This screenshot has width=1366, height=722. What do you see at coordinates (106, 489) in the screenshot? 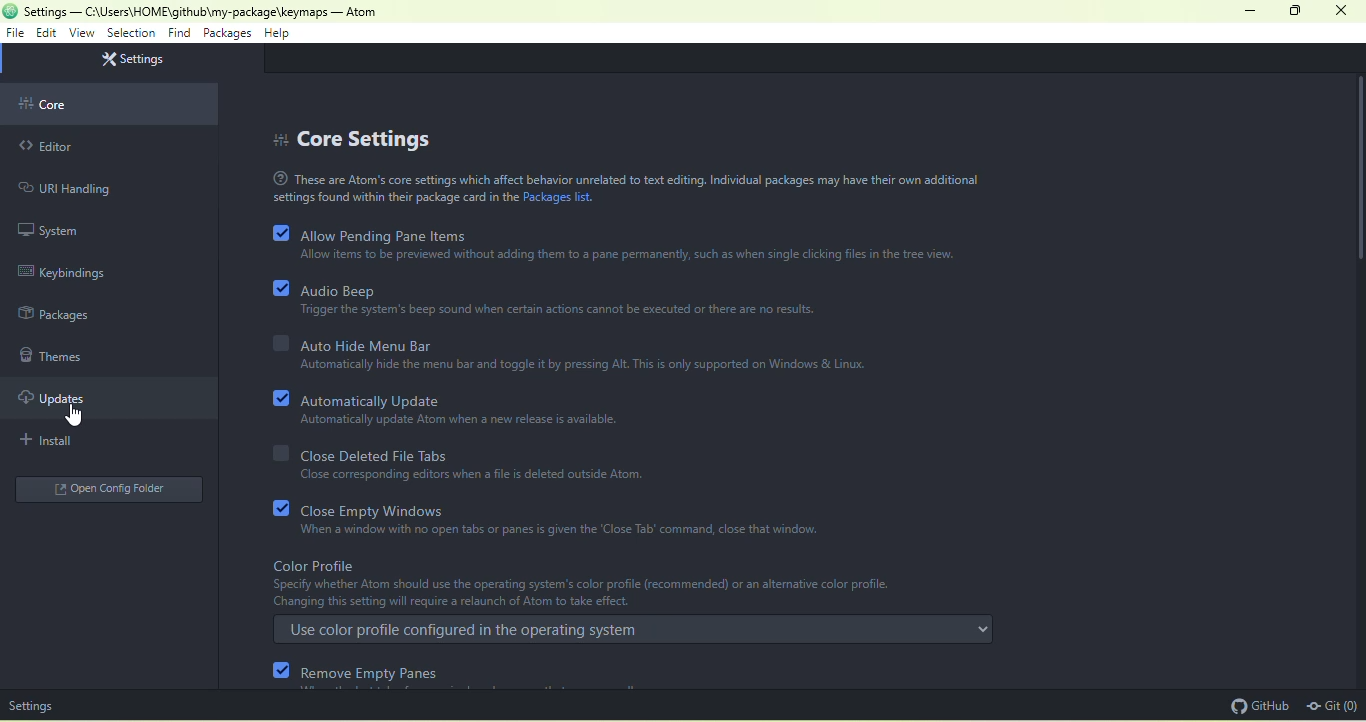
I see `open config folder` at bounding box center [106, 489].